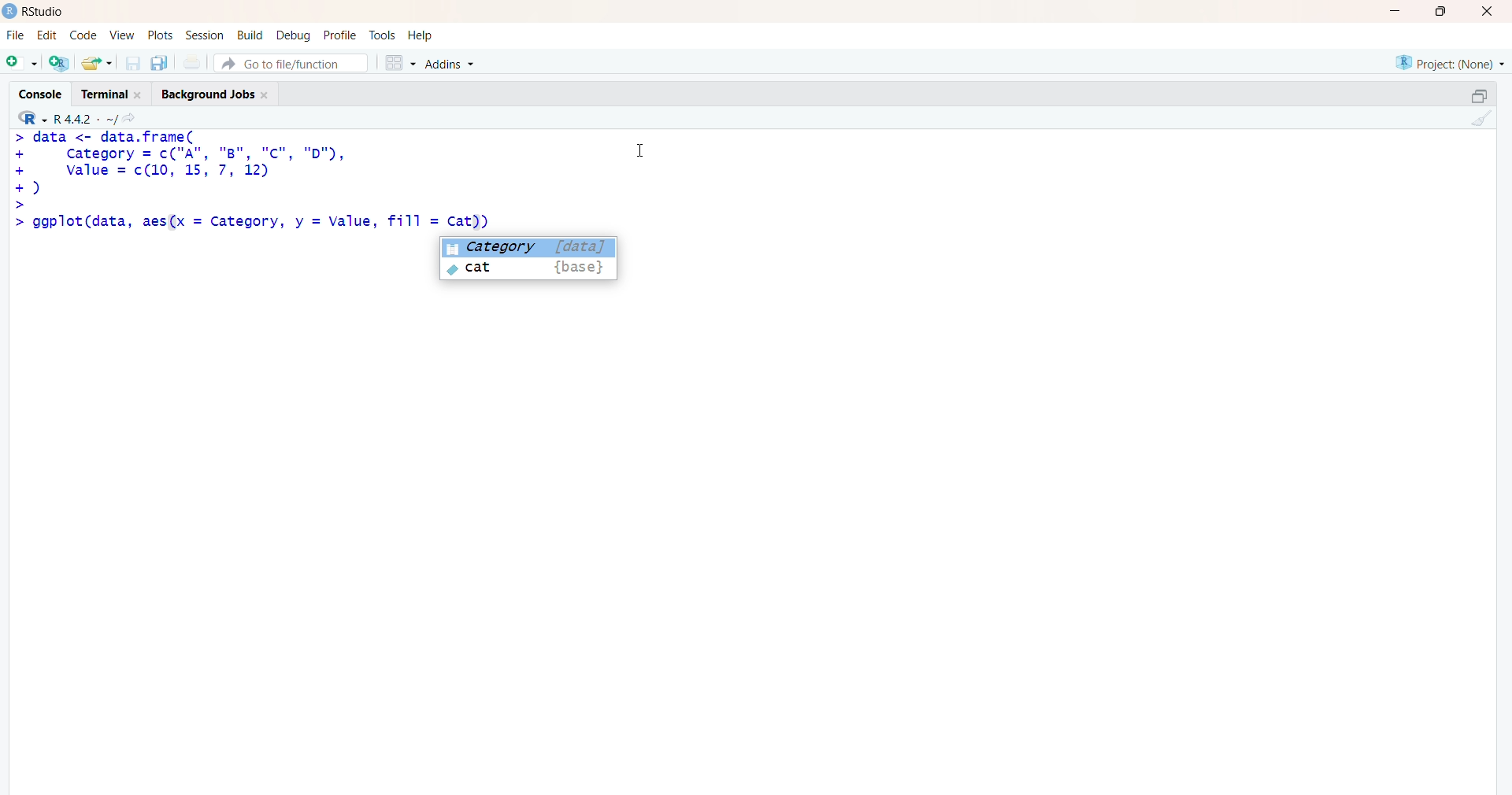 The width and height of the screenshot is (1512, 795). What do you see at coordinates (133, 118) in the screenshot?
I see `go to directiory` at bounding box center [133, 118].